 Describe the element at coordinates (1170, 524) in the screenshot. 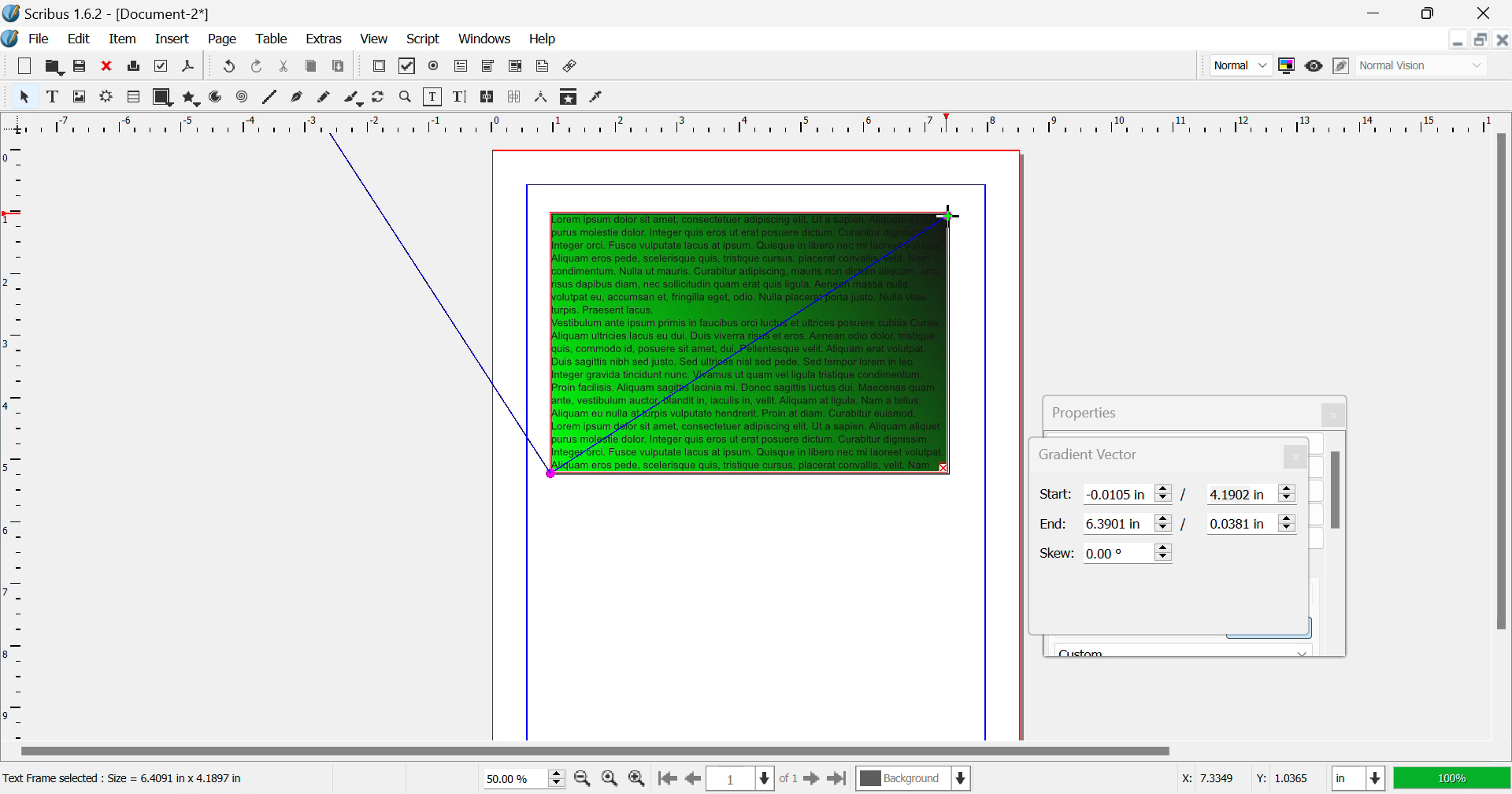

I see `Gradient Vector End` at that location.